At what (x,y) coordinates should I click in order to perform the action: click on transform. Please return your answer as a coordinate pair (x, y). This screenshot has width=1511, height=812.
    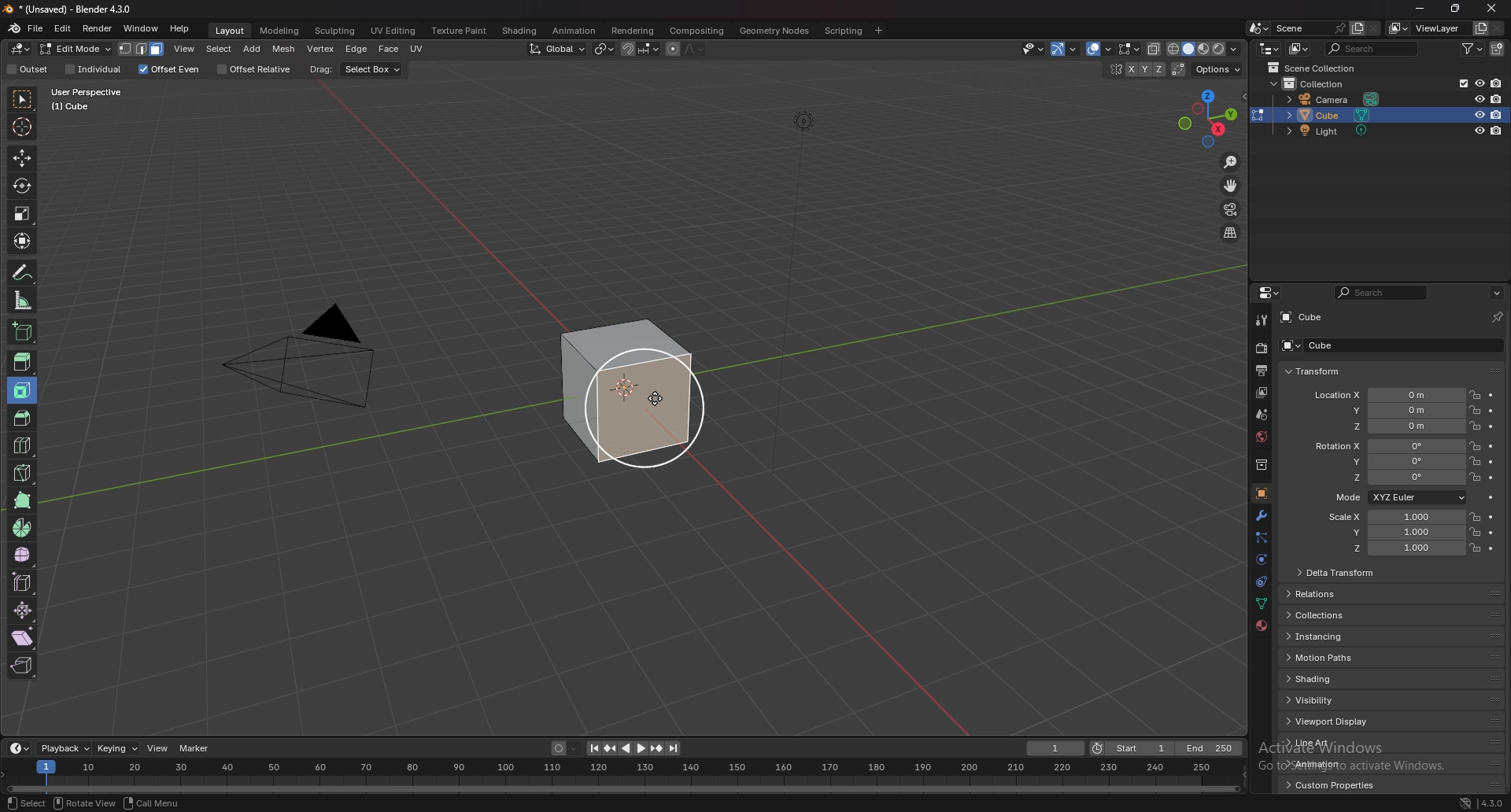
    Looking at the image, I should click on (24, 241).